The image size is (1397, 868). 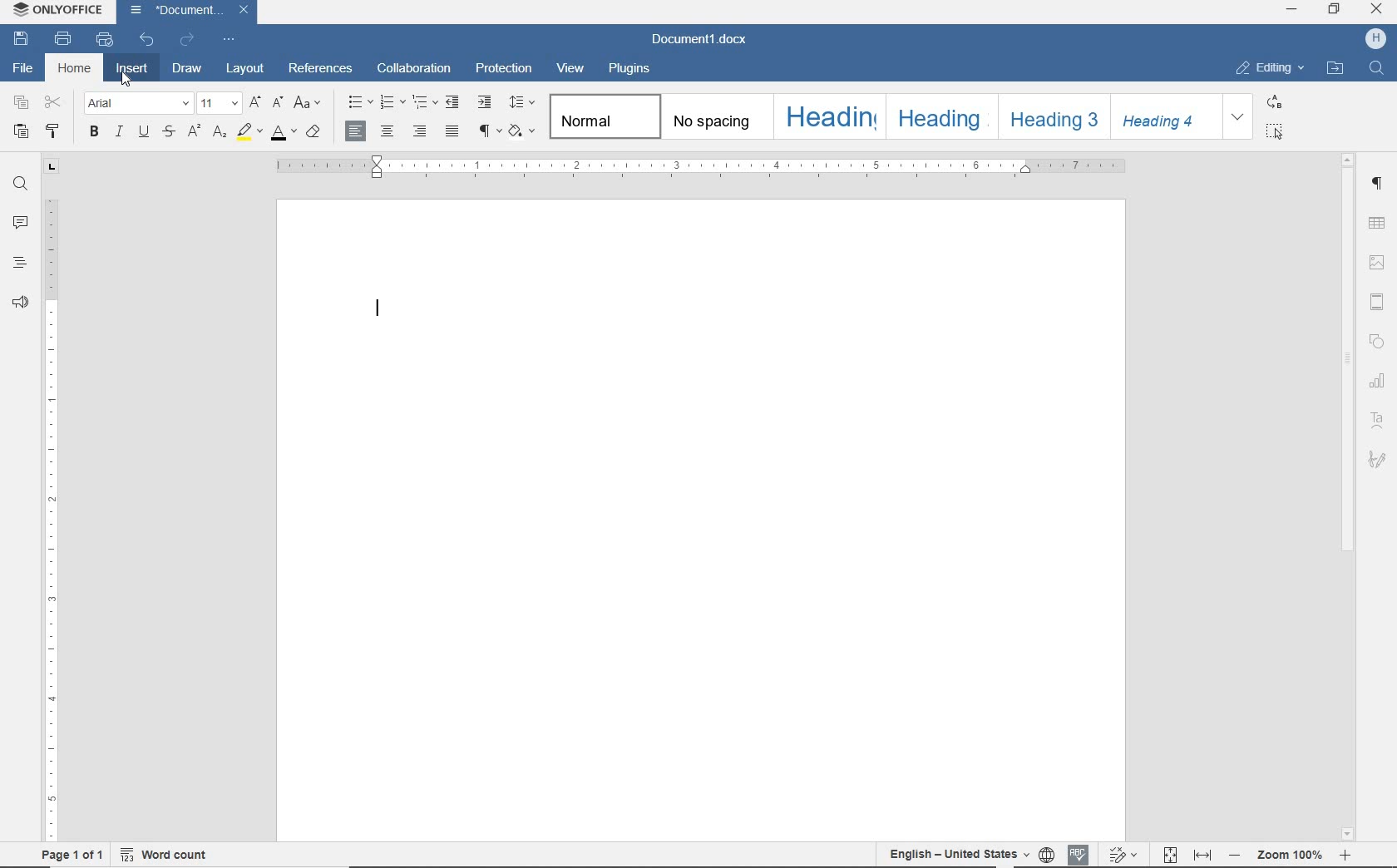 What do you see at coordinates (215, 104) in the screenshot?
I see `font size` at bounding box center [215, 104].